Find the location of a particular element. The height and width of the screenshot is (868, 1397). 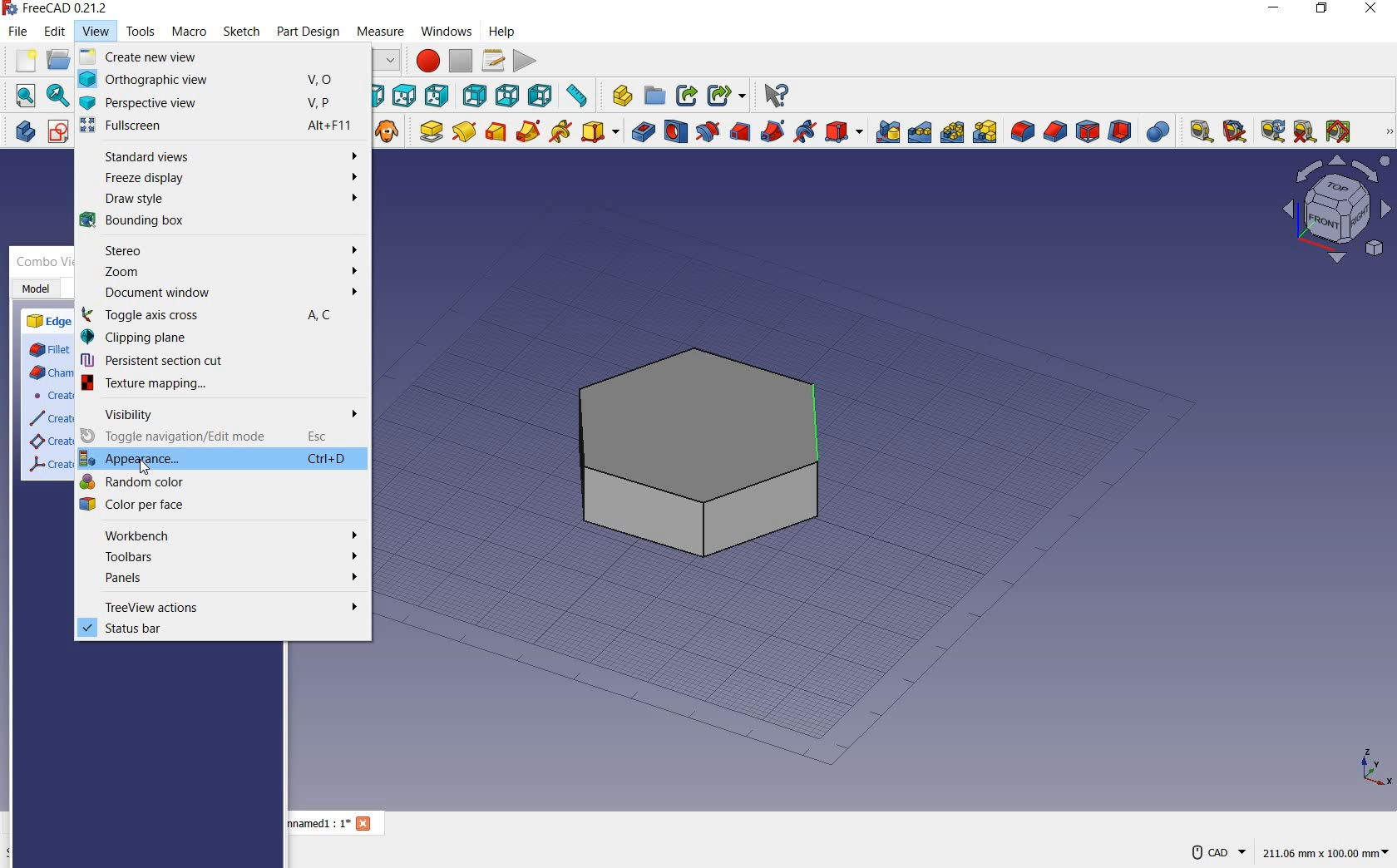

groove is located at coordinates (706, 132).